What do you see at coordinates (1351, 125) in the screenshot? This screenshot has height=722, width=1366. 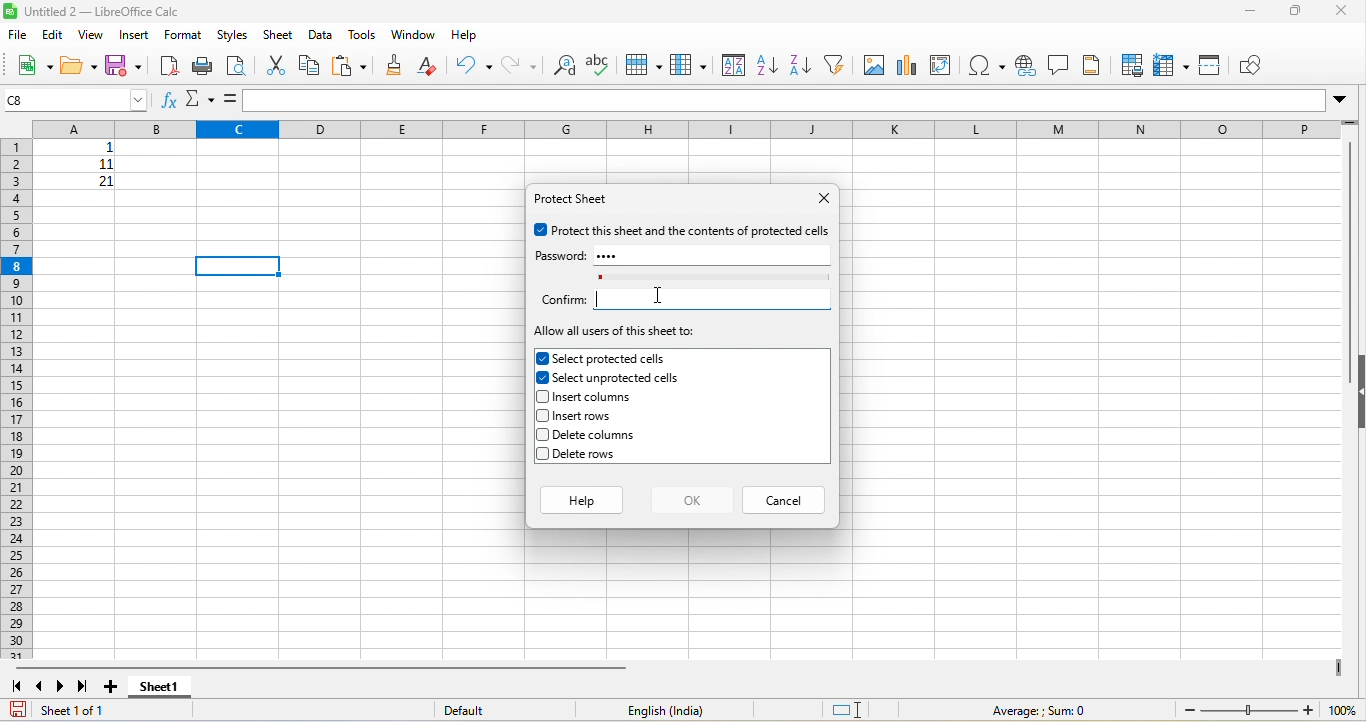 I see `drag to view more rows` at bounding box center [1351, 125].